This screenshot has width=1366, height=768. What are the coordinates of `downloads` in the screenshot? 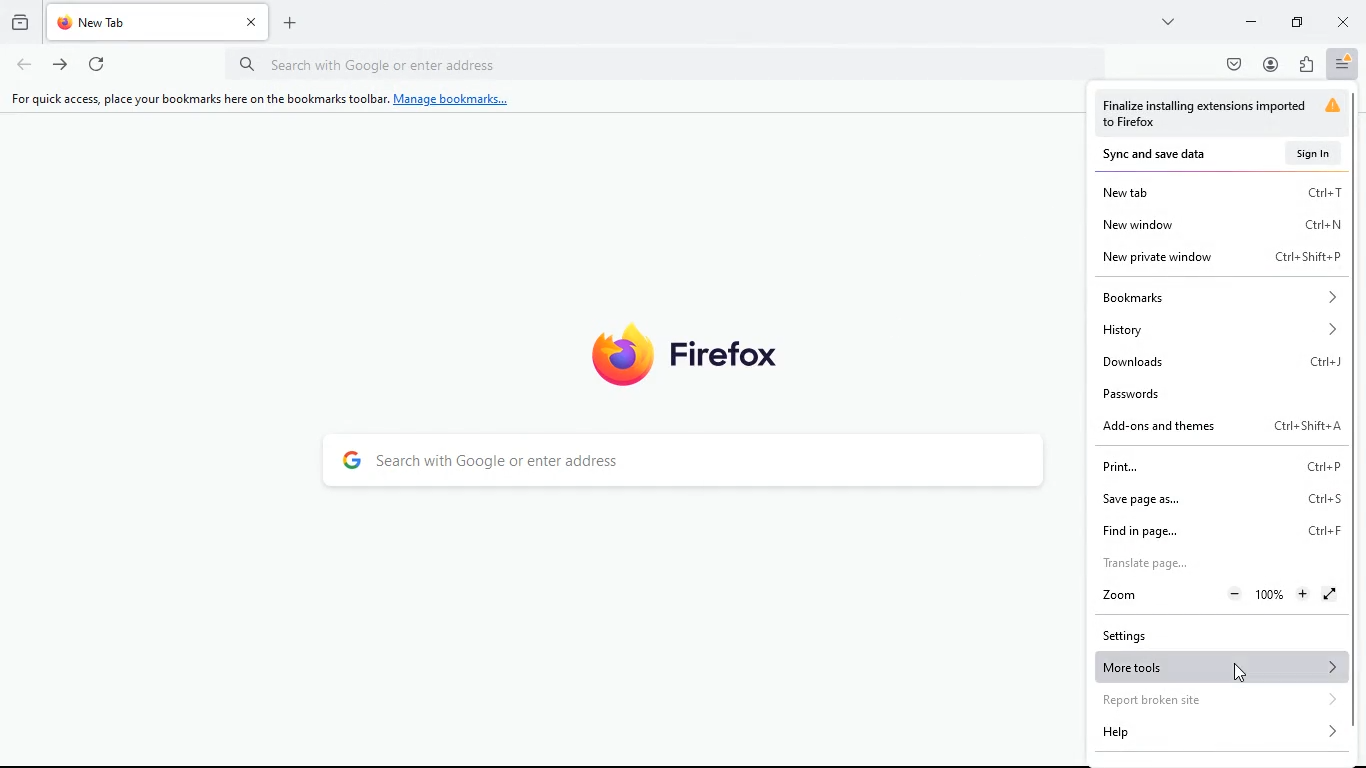 It's located at (1218, 362).